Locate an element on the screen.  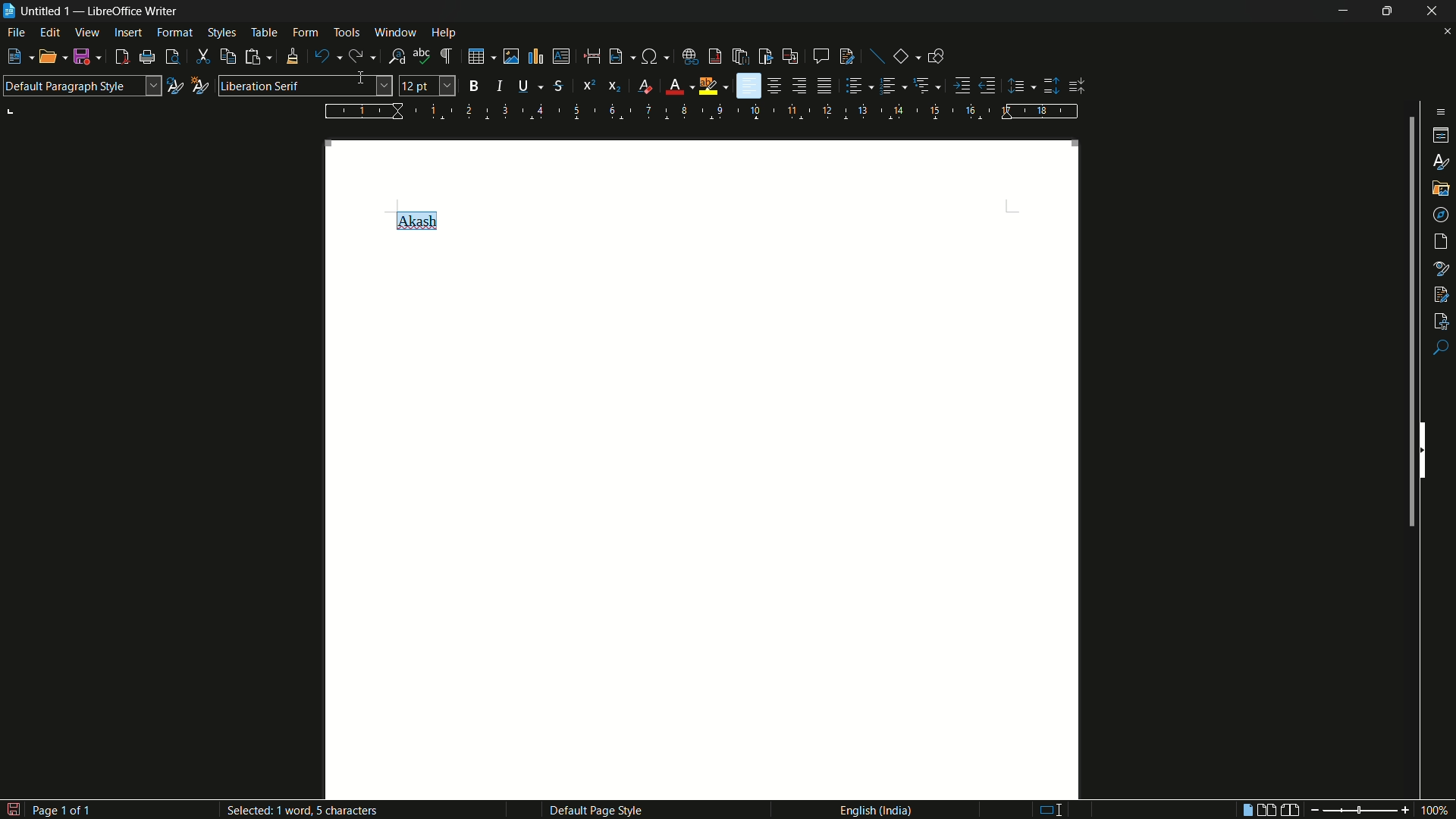
show draw functions is located at coordinates (936, 55).